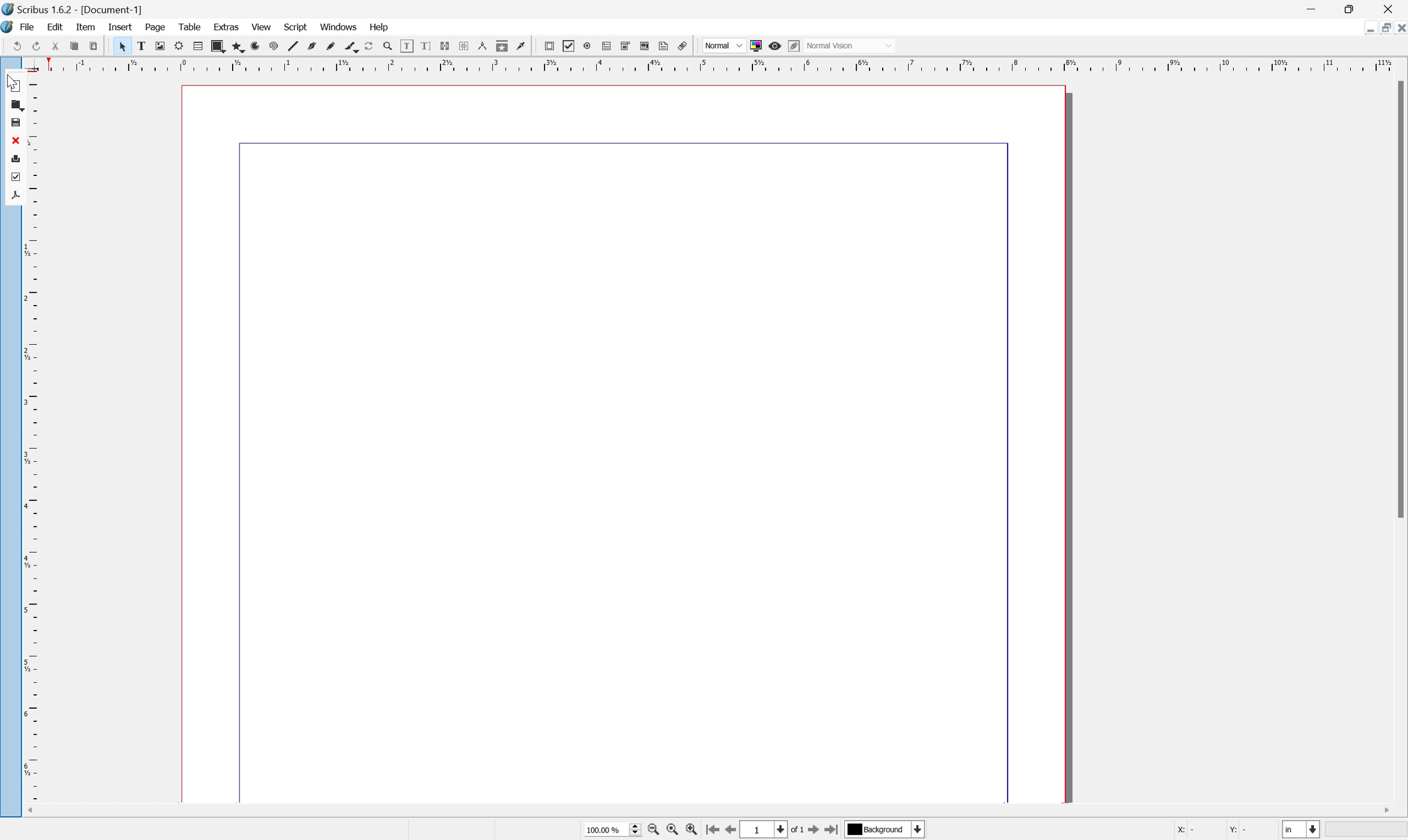 The height and width of the screenshot is (840, 1408). Describe the element at coordinates (55, 26) in the screenshot. I see `edit` at that location.